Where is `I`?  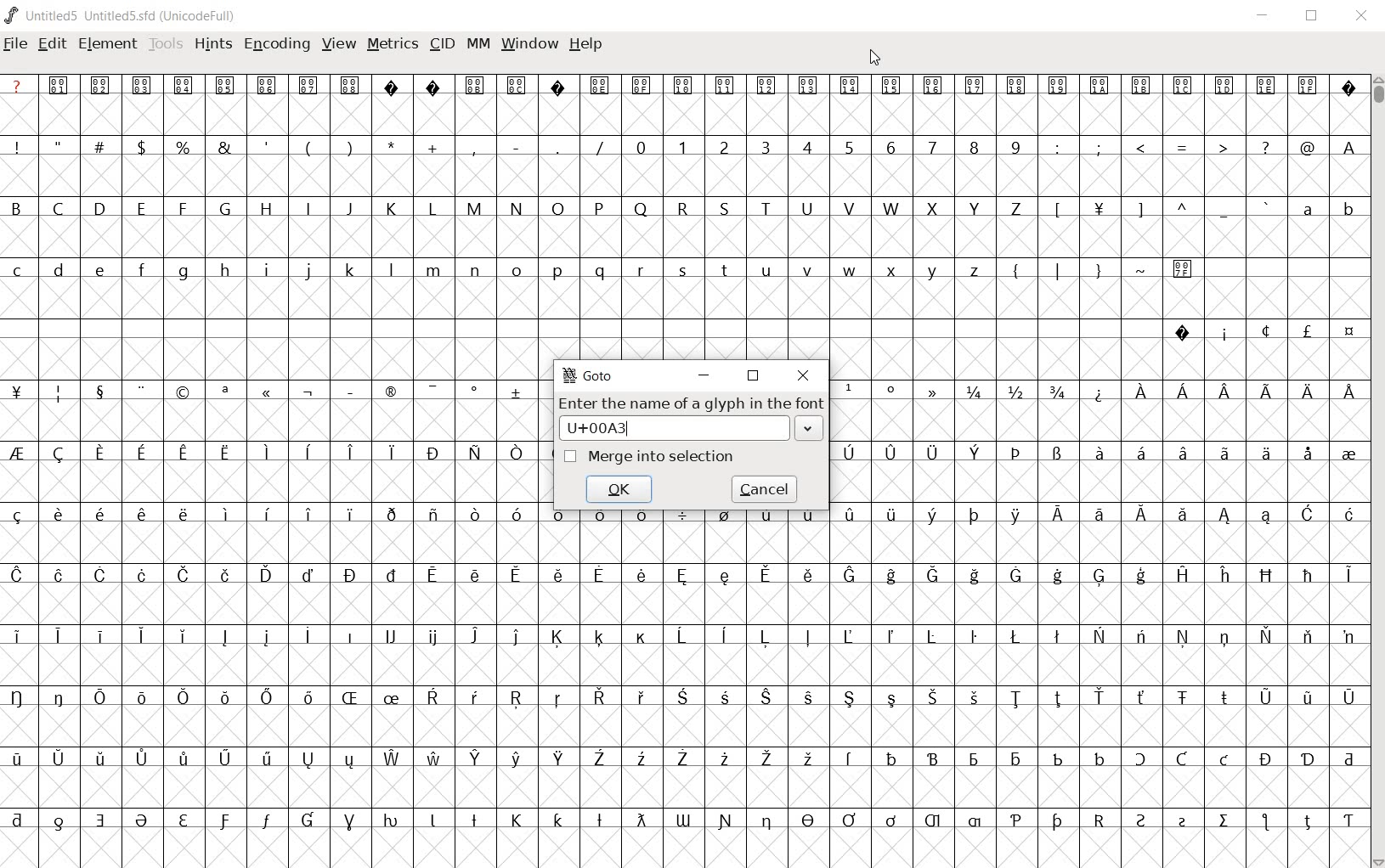 I is located at coordinates (308, 209).